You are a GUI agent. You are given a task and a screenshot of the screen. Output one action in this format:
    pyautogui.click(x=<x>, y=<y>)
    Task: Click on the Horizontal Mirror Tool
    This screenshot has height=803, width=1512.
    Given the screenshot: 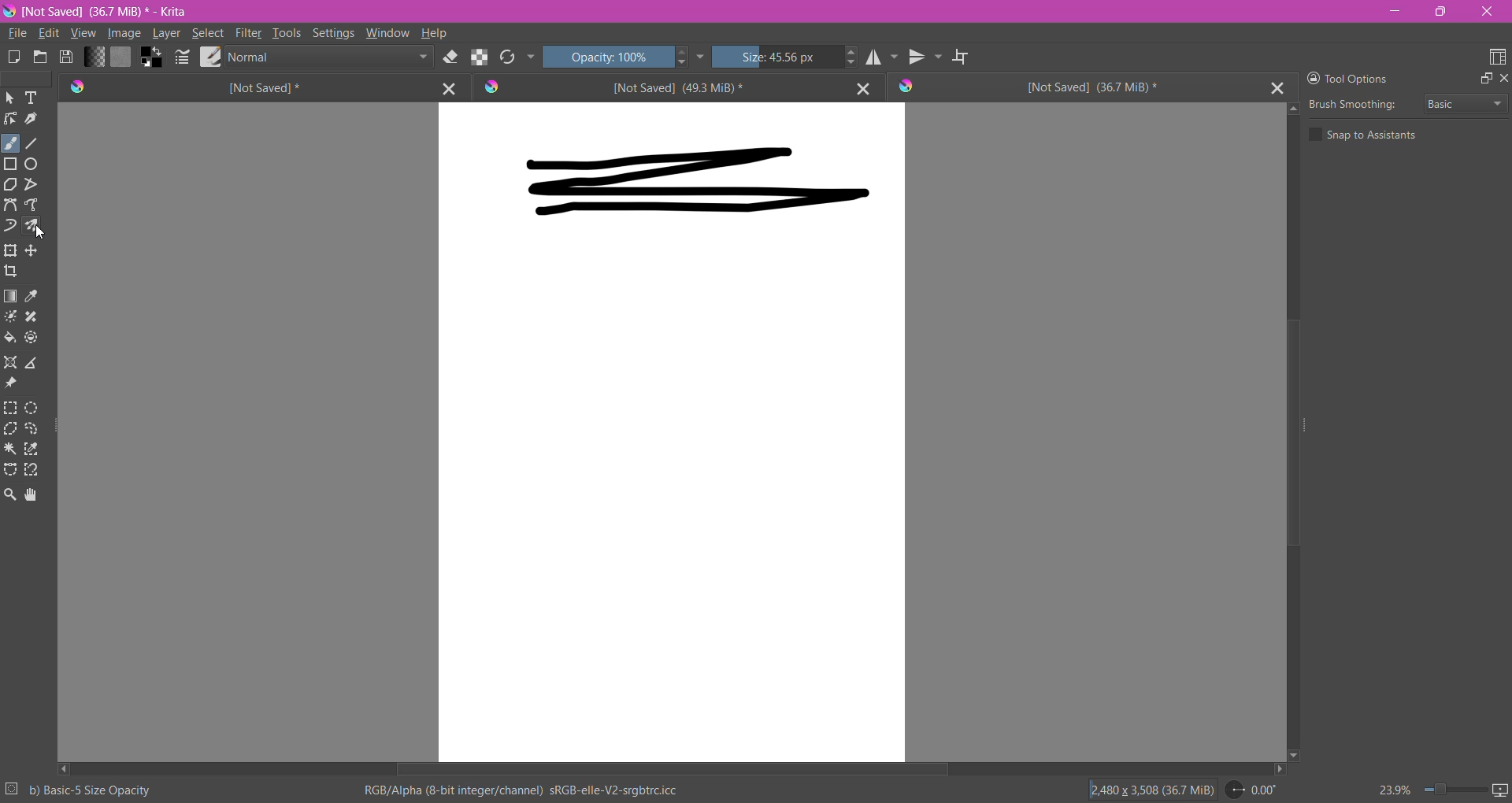 What is the action you would take?
    pyautogui.click(x=881, y=57)
    